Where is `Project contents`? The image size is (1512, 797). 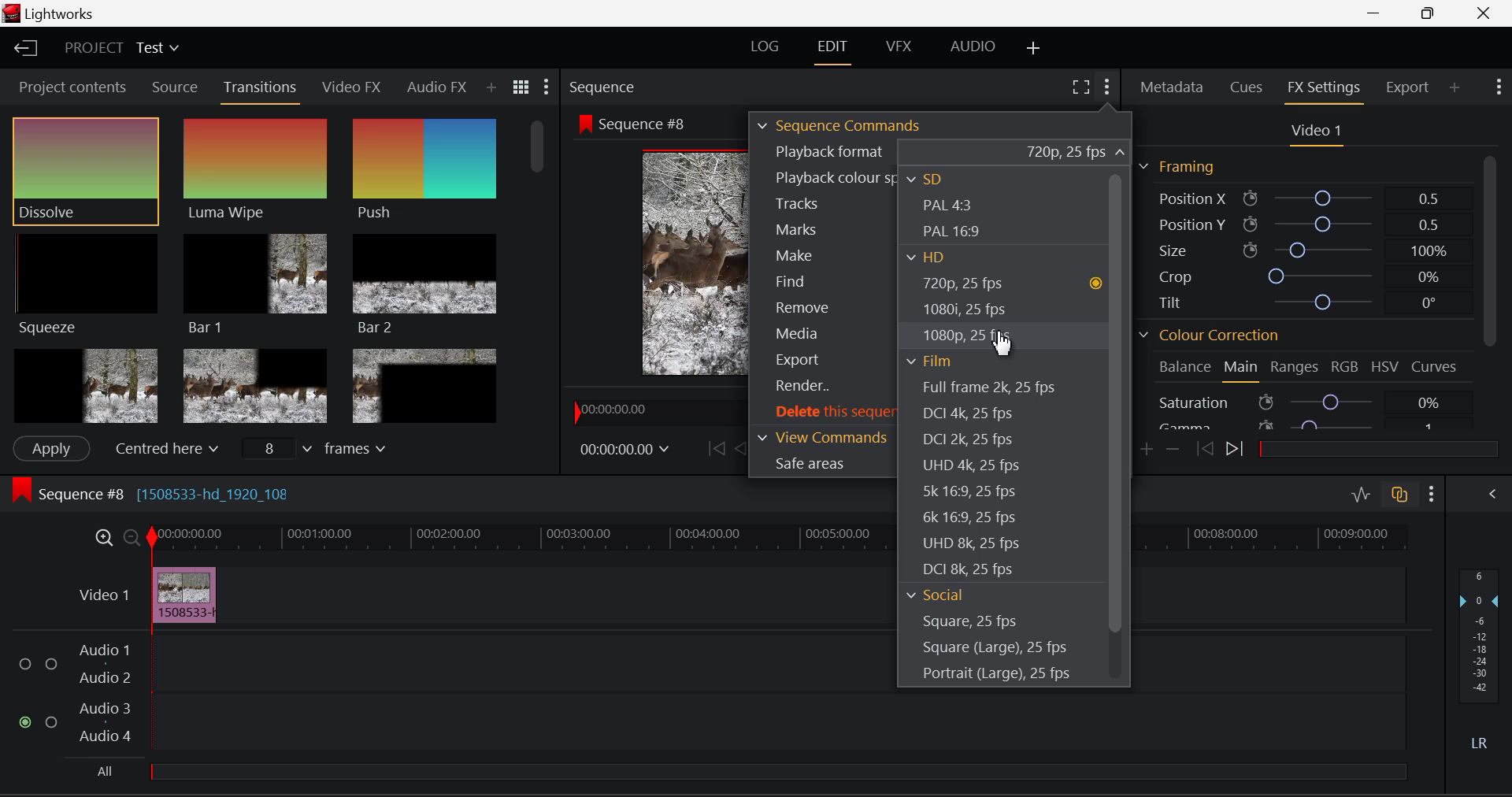
Project contents is located at coordinates (72, 86).